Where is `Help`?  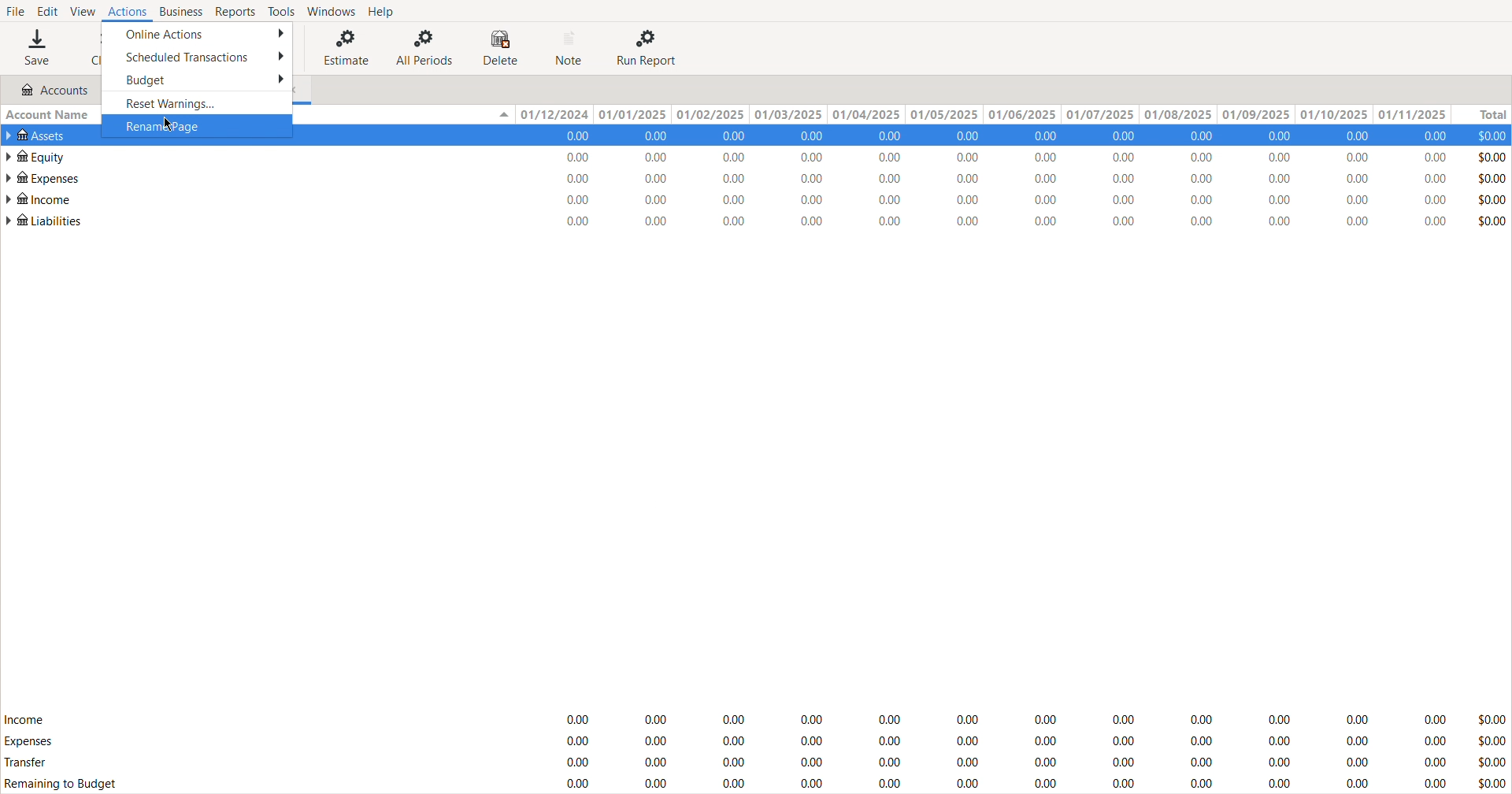
Help is located at coordinates (385, 11).